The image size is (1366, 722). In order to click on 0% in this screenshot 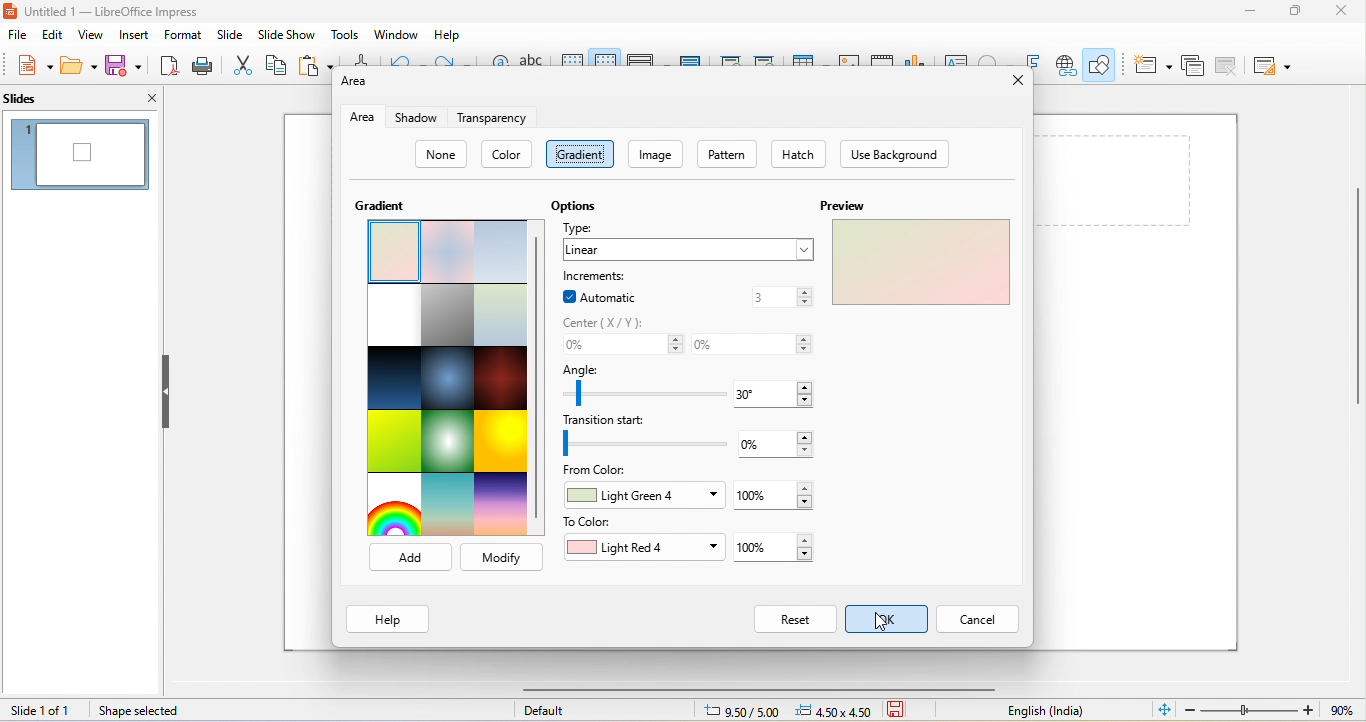, I will do `click(610, 346)`.